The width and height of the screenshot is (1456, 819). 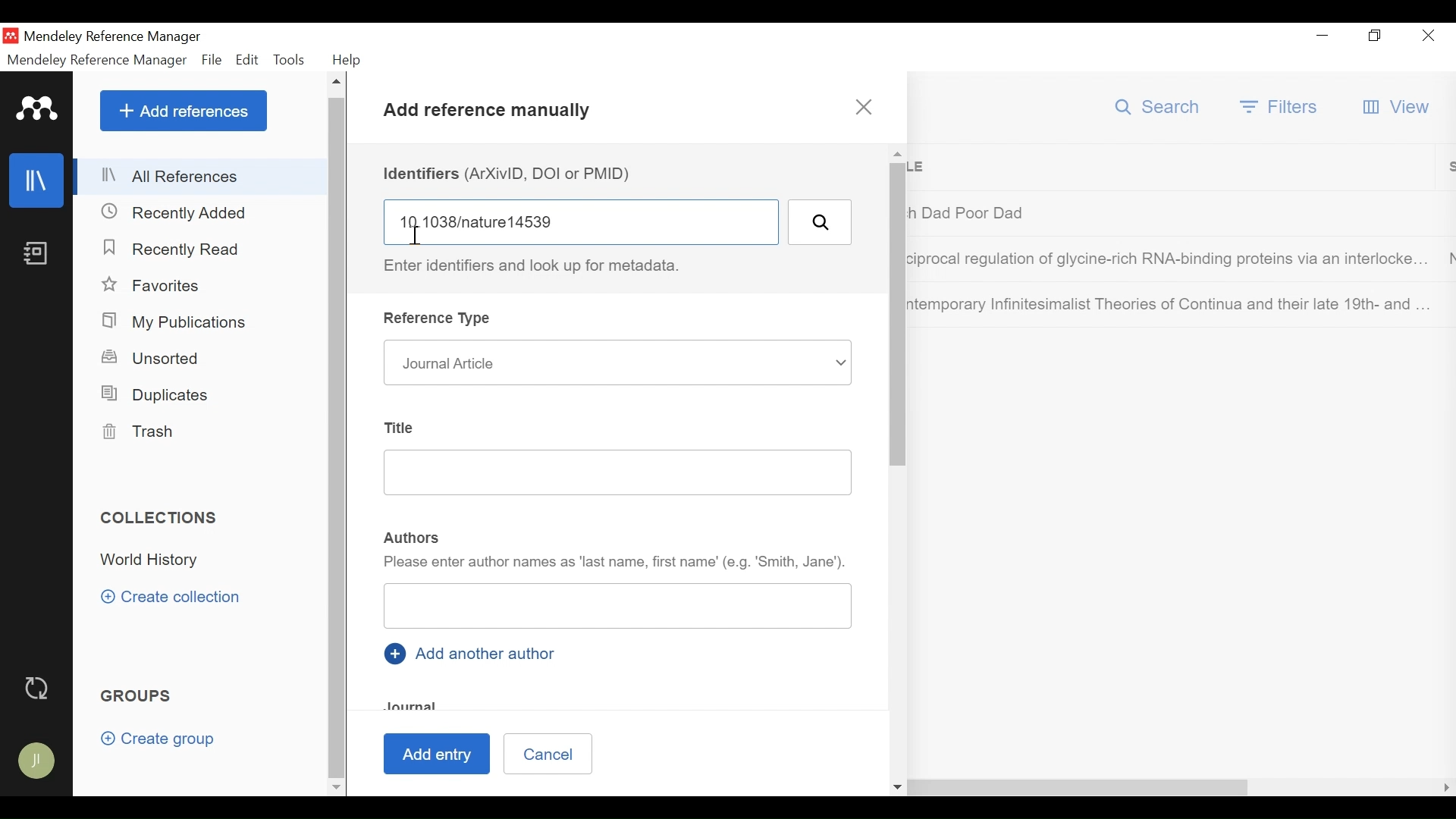 I want to click on Search , so click(x=1159, y=107).